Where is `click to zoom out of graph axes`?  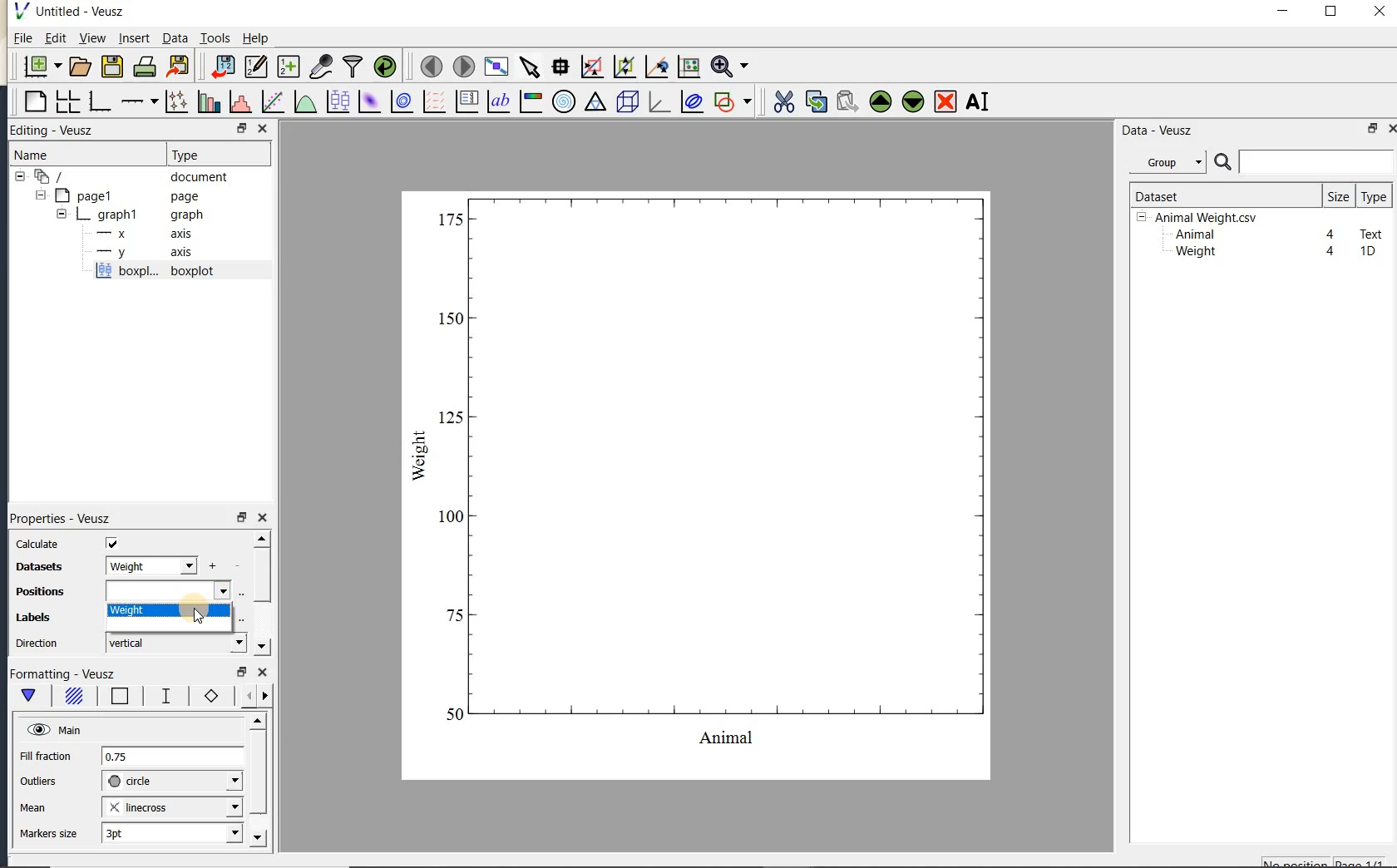 click to zoom out of graph axes is located at coordinates (625, 66).